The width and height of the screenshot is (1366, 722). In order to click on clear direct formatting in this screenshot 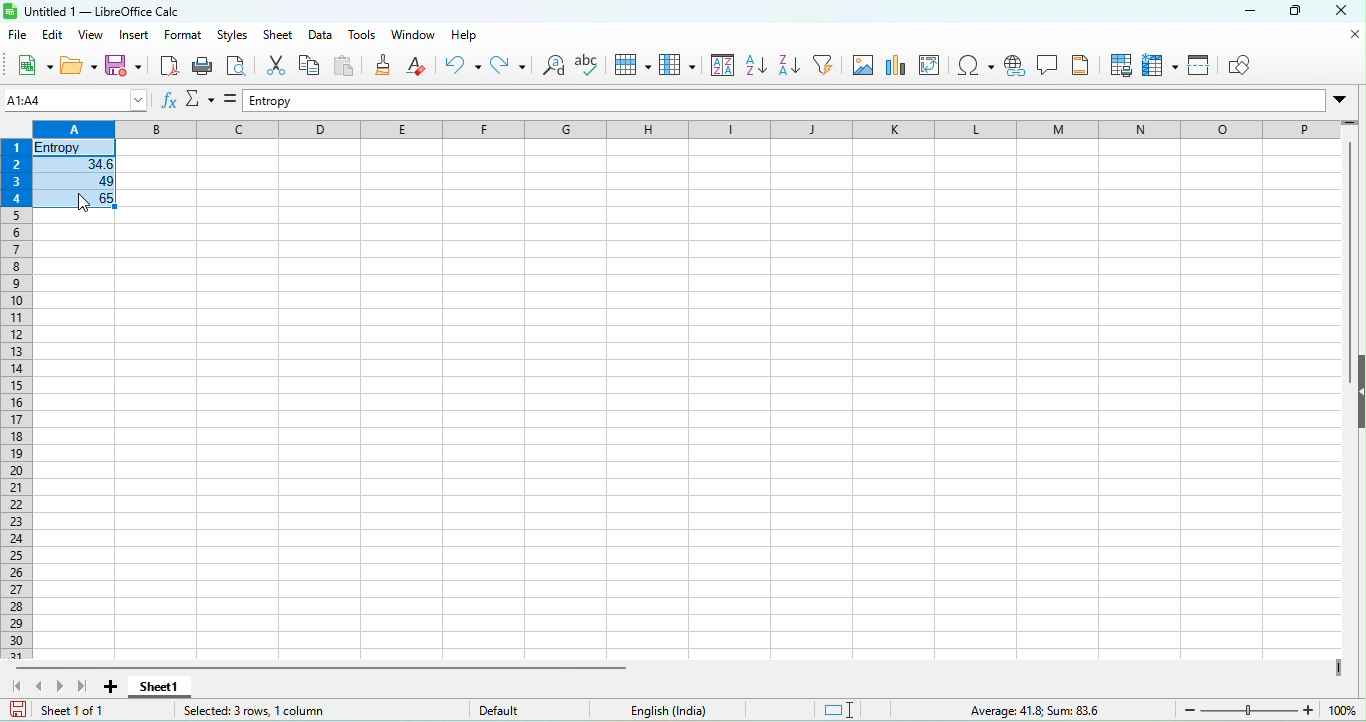, I will do `click(419, 69)`.